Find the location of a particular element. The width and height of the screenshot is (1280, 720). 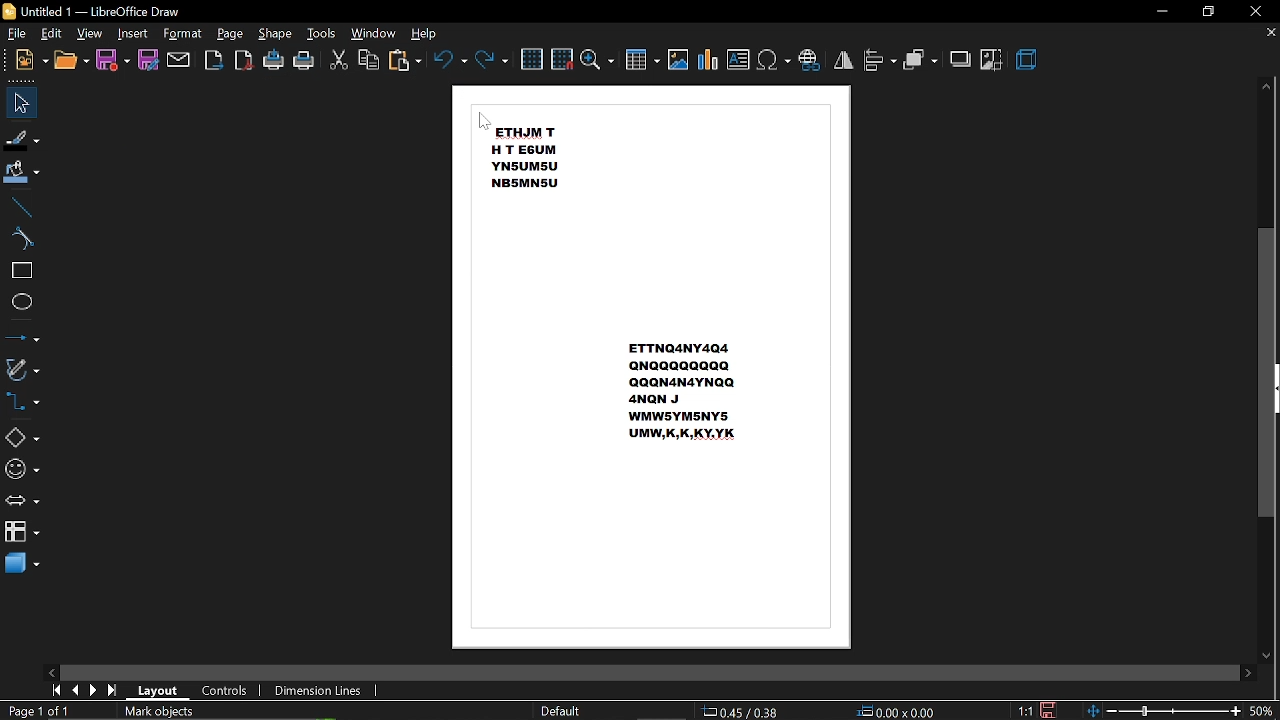

3d shapes is located at coordinates (22, 565).